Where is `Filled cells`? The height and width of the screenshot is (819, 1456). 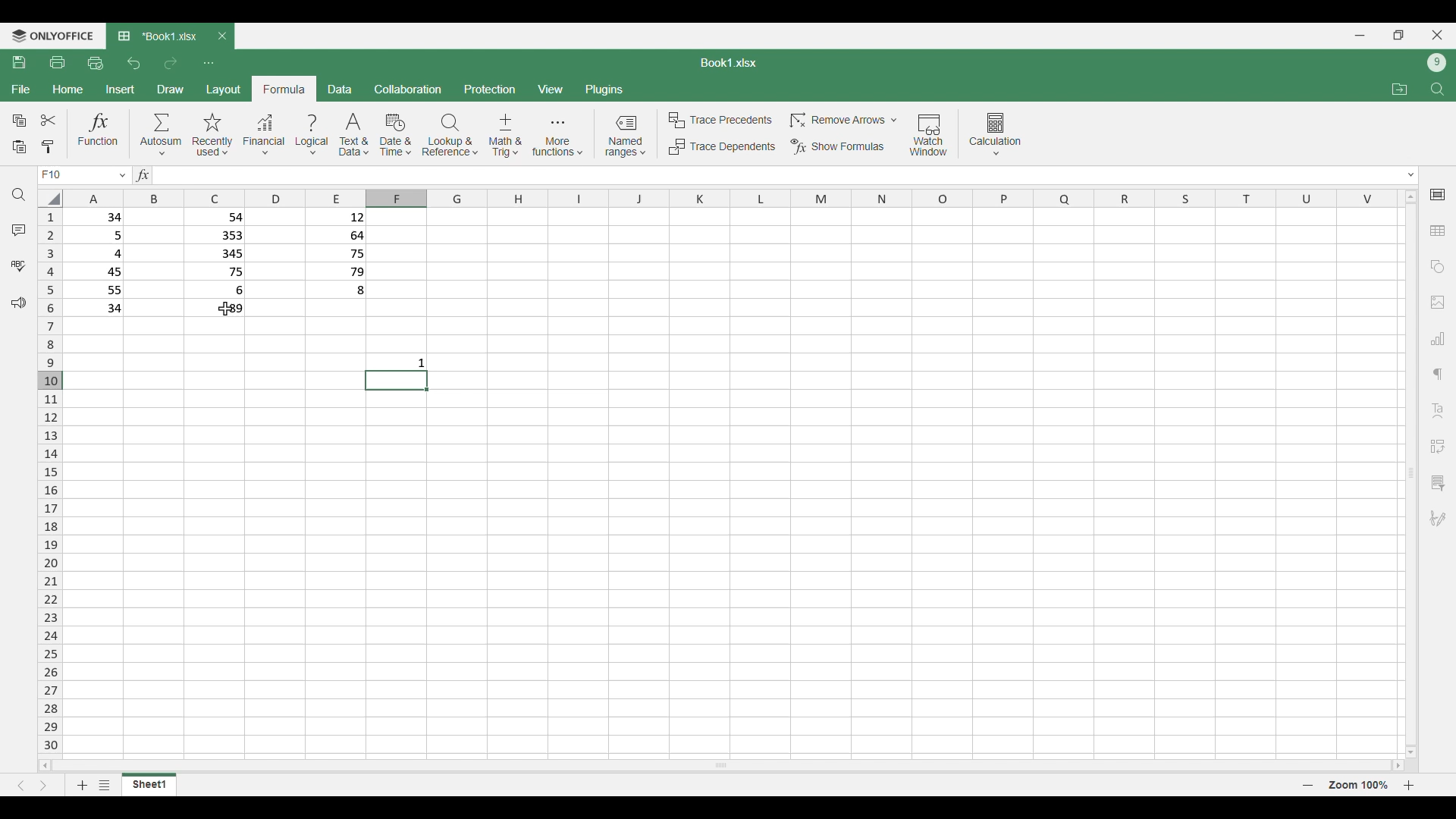
Filled cells is located at coordinates (99, 262).